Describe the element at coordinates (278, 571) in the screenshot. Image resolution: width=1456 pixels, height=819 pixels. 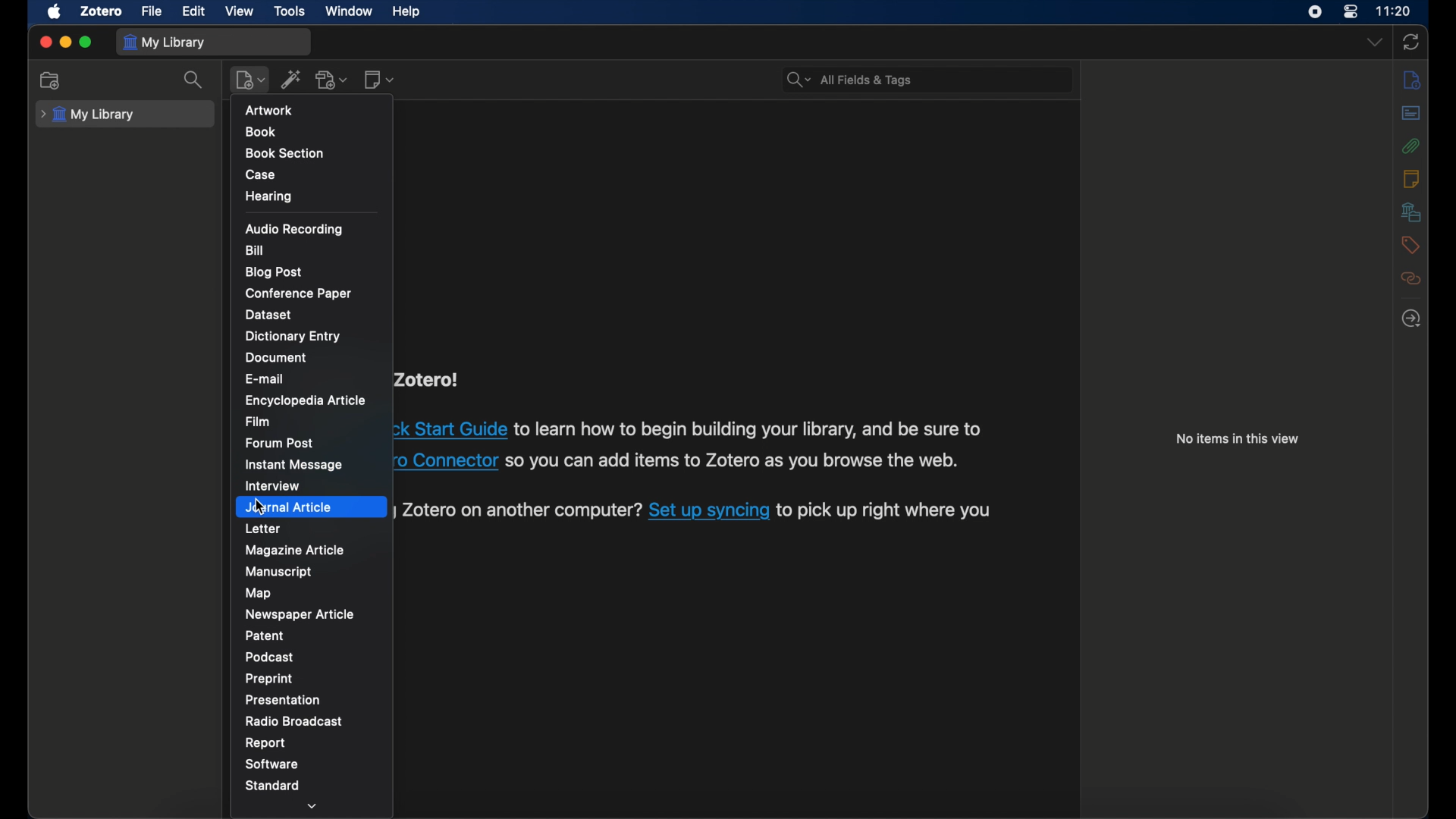
I see `manuscript` at that location.